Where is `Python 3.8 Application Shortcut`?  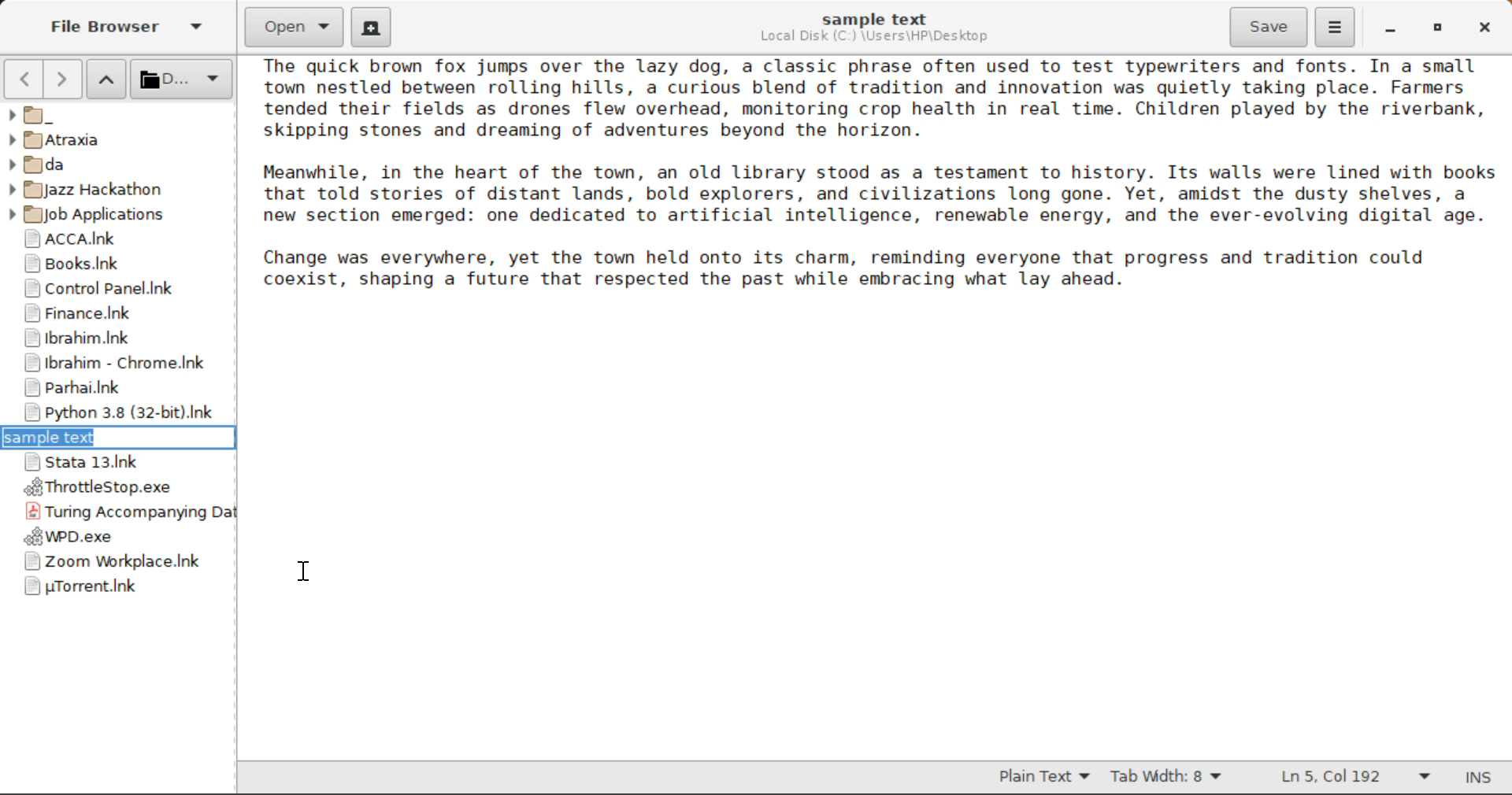
Python 3.8 Application Shortcut is located at coordinates (112, 412).